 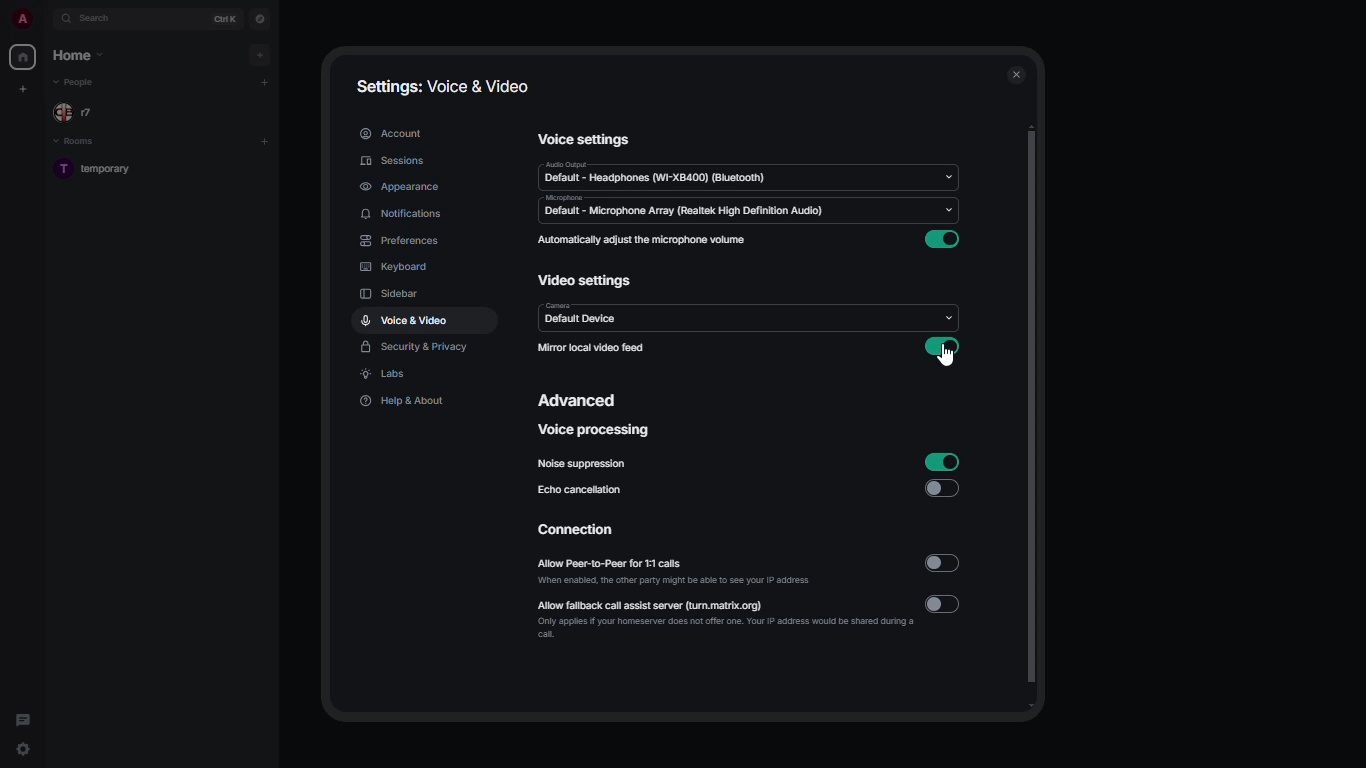 I want to click on voice settings, so click(x=584, y=138).